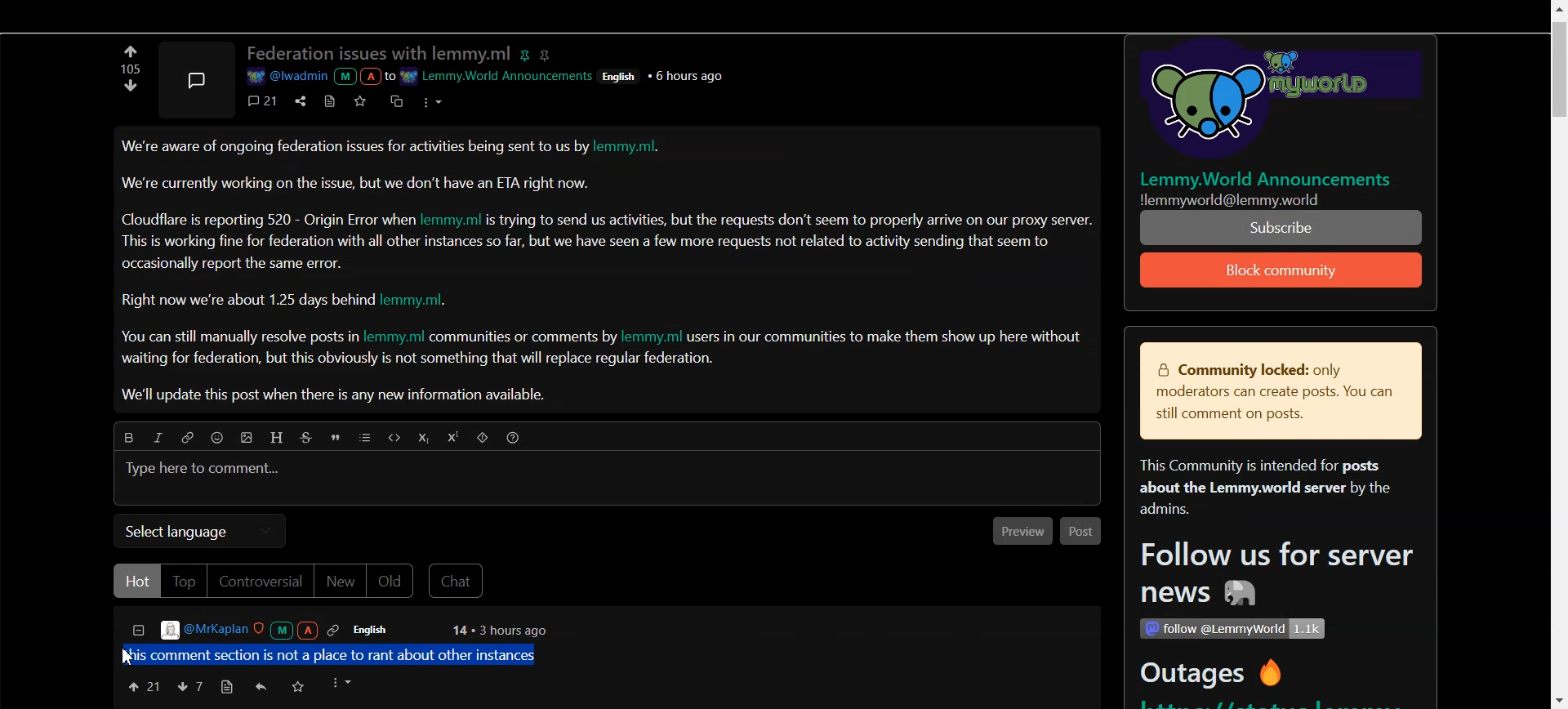 This screenshot has width=1568, height=709. What do you see at coordinates (422, 439) in the screenshot?
I see `Subscript` at bounding box center [422, 439].